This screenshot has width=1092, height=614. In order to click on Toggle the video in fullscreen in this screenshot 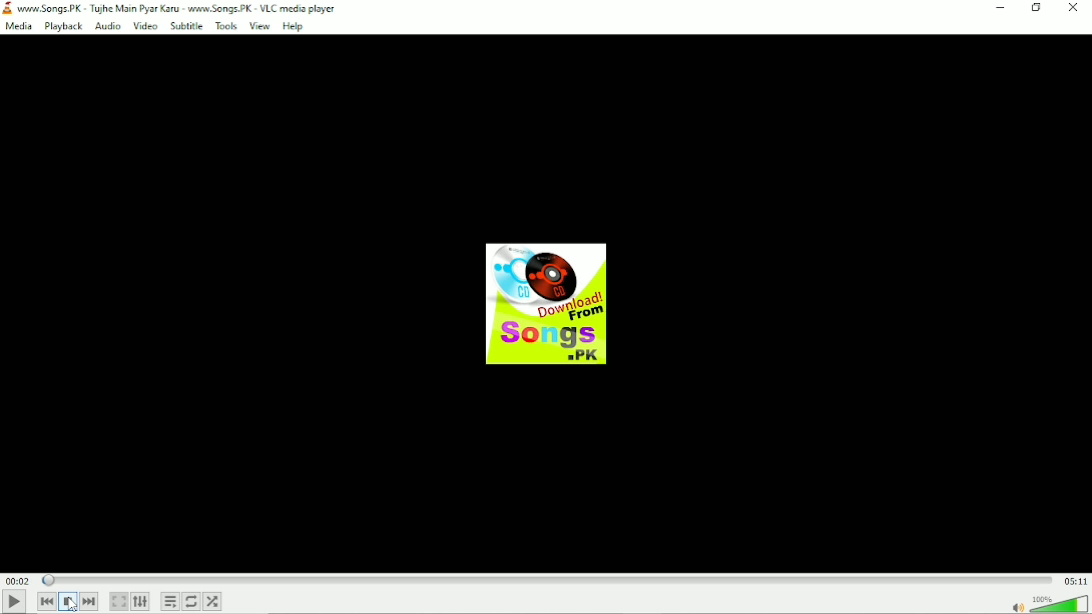, I will do `click(118, 602)`.